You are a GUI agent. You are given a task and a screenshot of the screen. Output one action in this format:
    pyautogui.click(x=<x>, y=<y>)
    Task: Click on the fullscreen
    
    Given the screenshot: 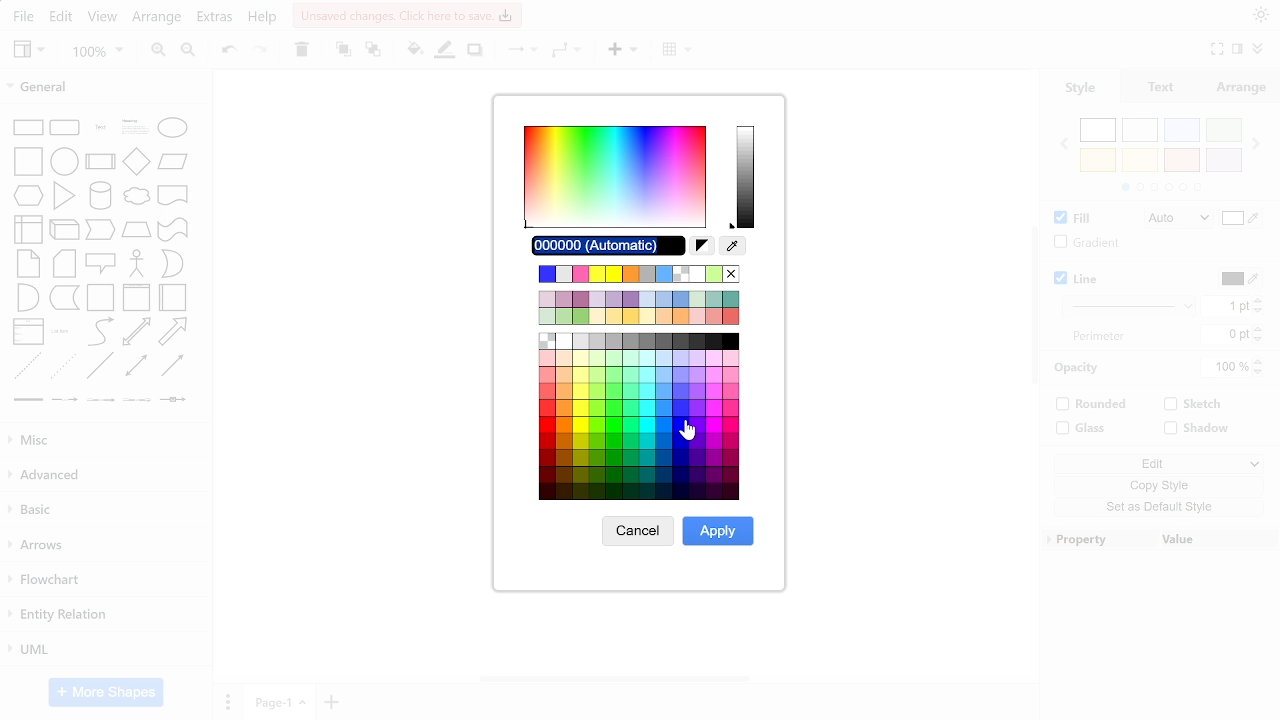 What is the action you would take?
    pyautogui.click(x=1216, y=50)
    